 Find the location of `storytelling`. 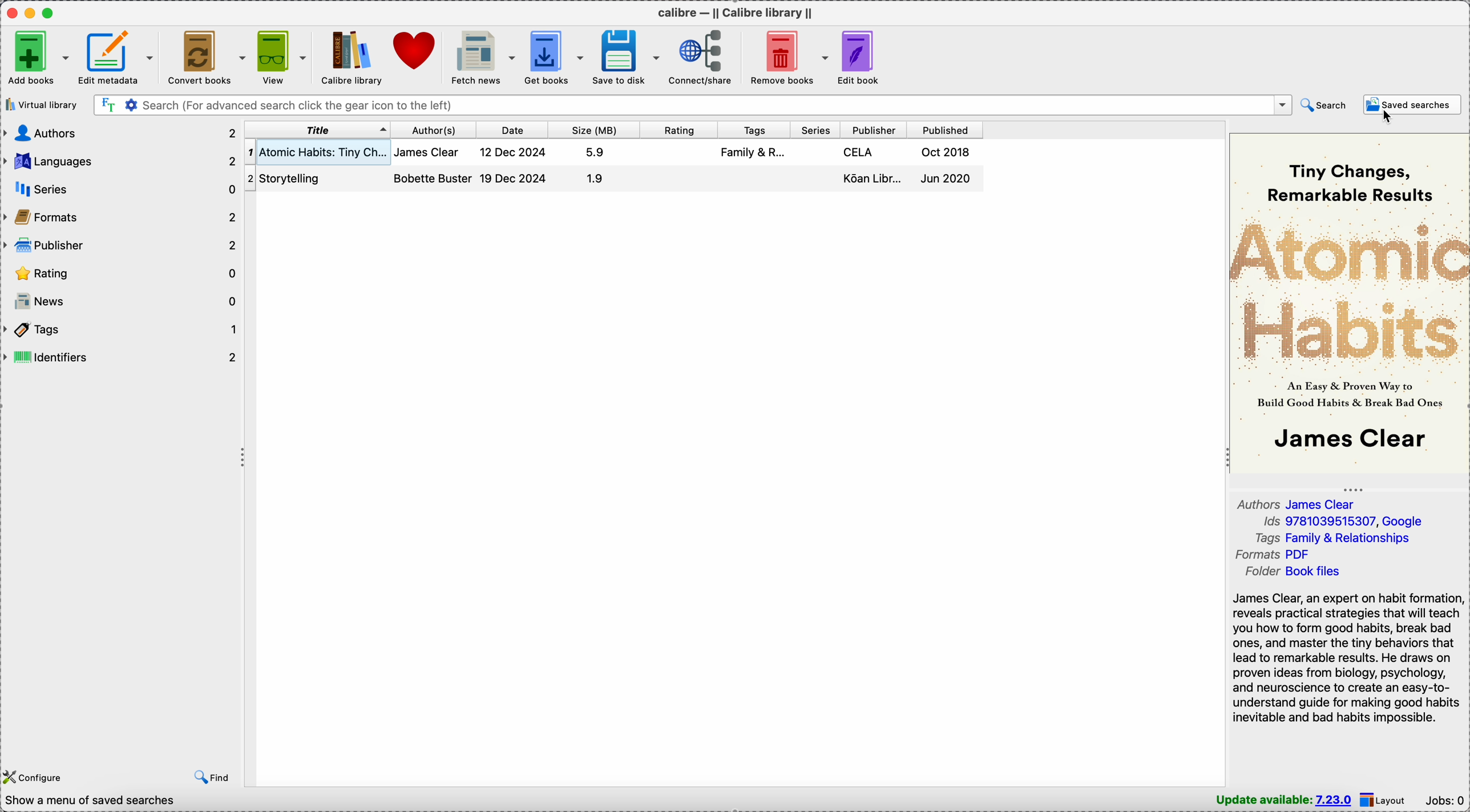

storytelling is located at coordinates (297, 177).